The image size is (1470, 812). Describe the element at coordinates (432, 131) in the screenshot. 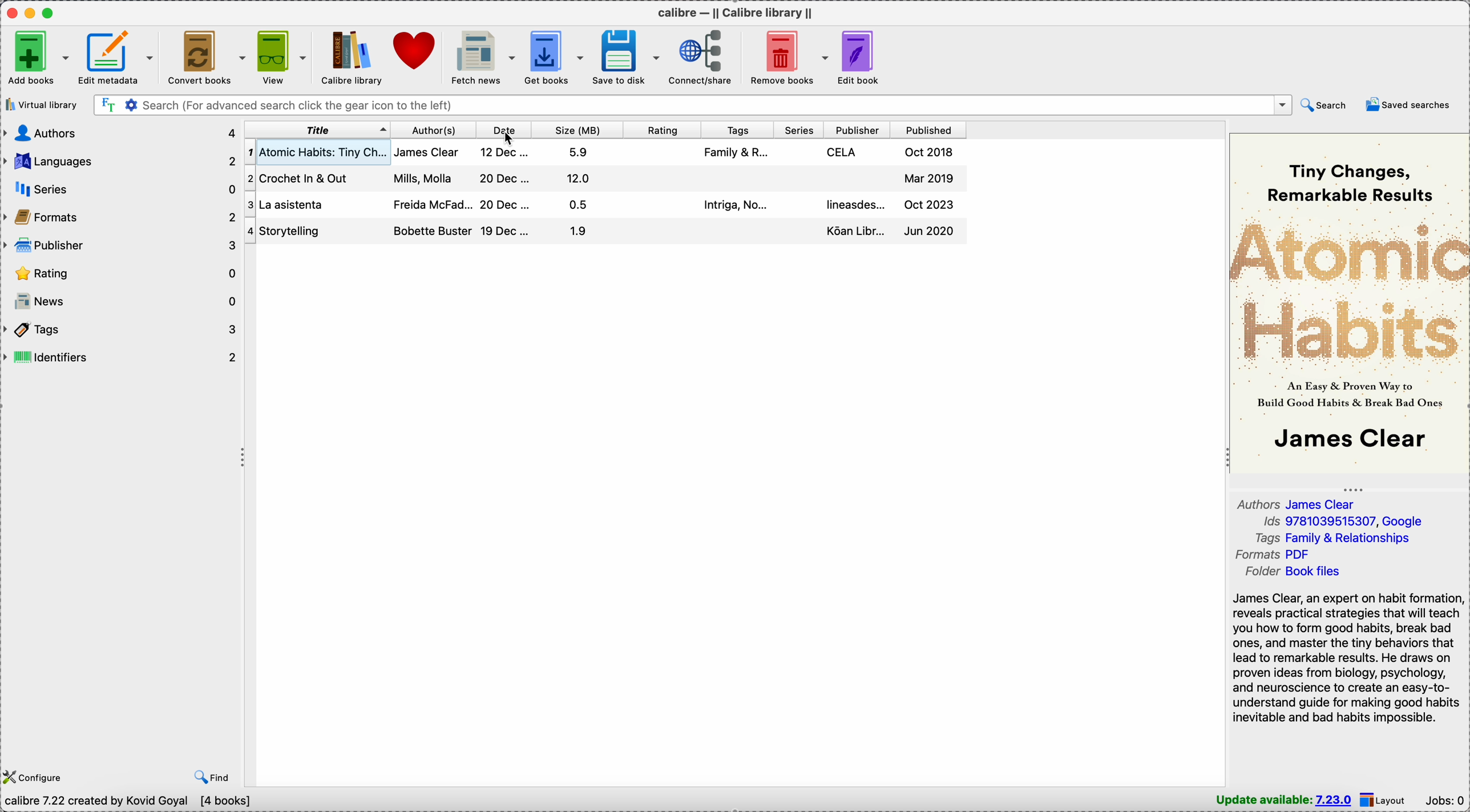

I see `author(s)` at that location.